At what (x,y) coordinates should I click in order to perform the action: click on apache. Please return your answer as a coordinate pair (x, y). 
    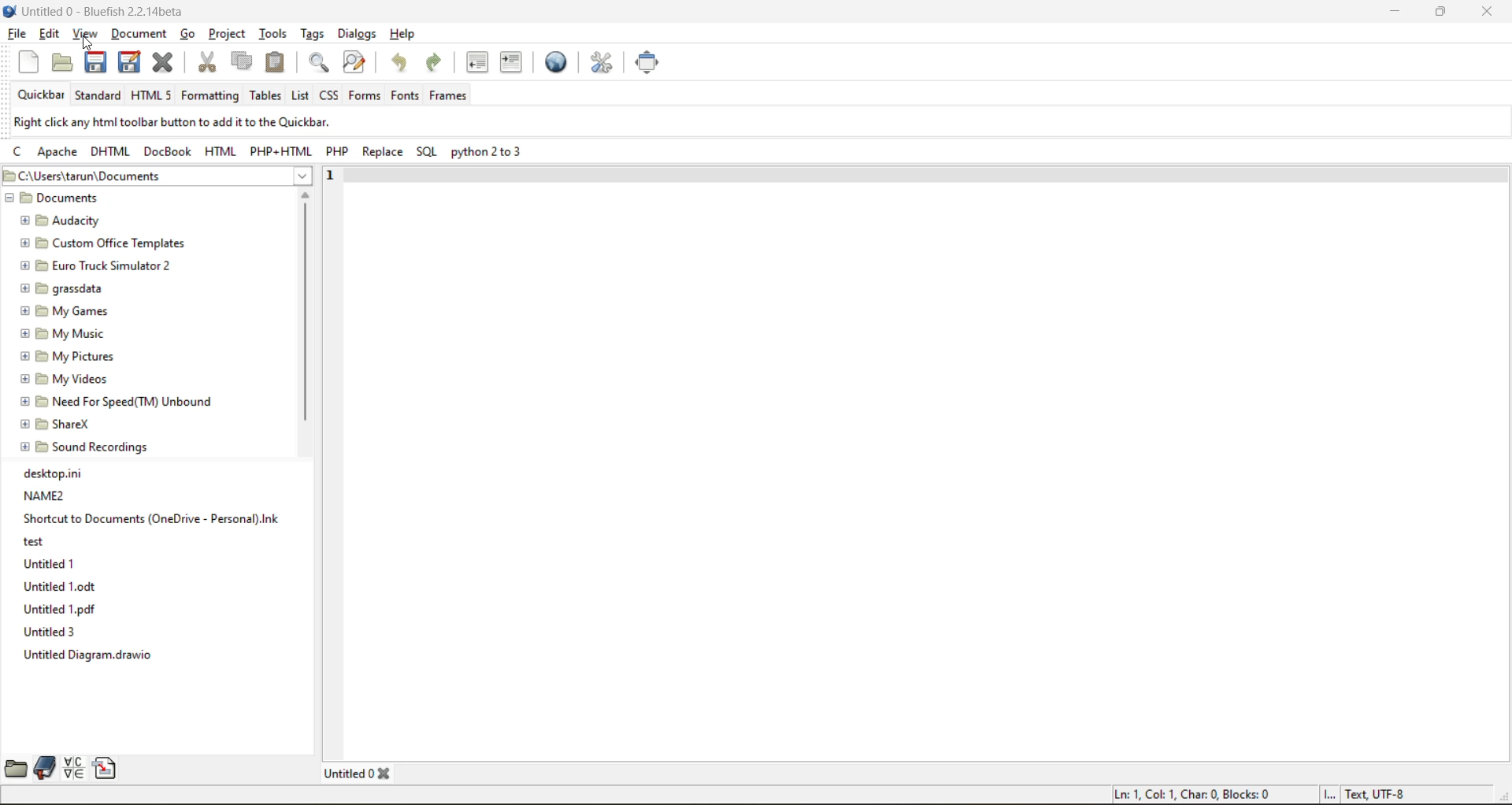
    Looking at the image, I should click on (59, 154).